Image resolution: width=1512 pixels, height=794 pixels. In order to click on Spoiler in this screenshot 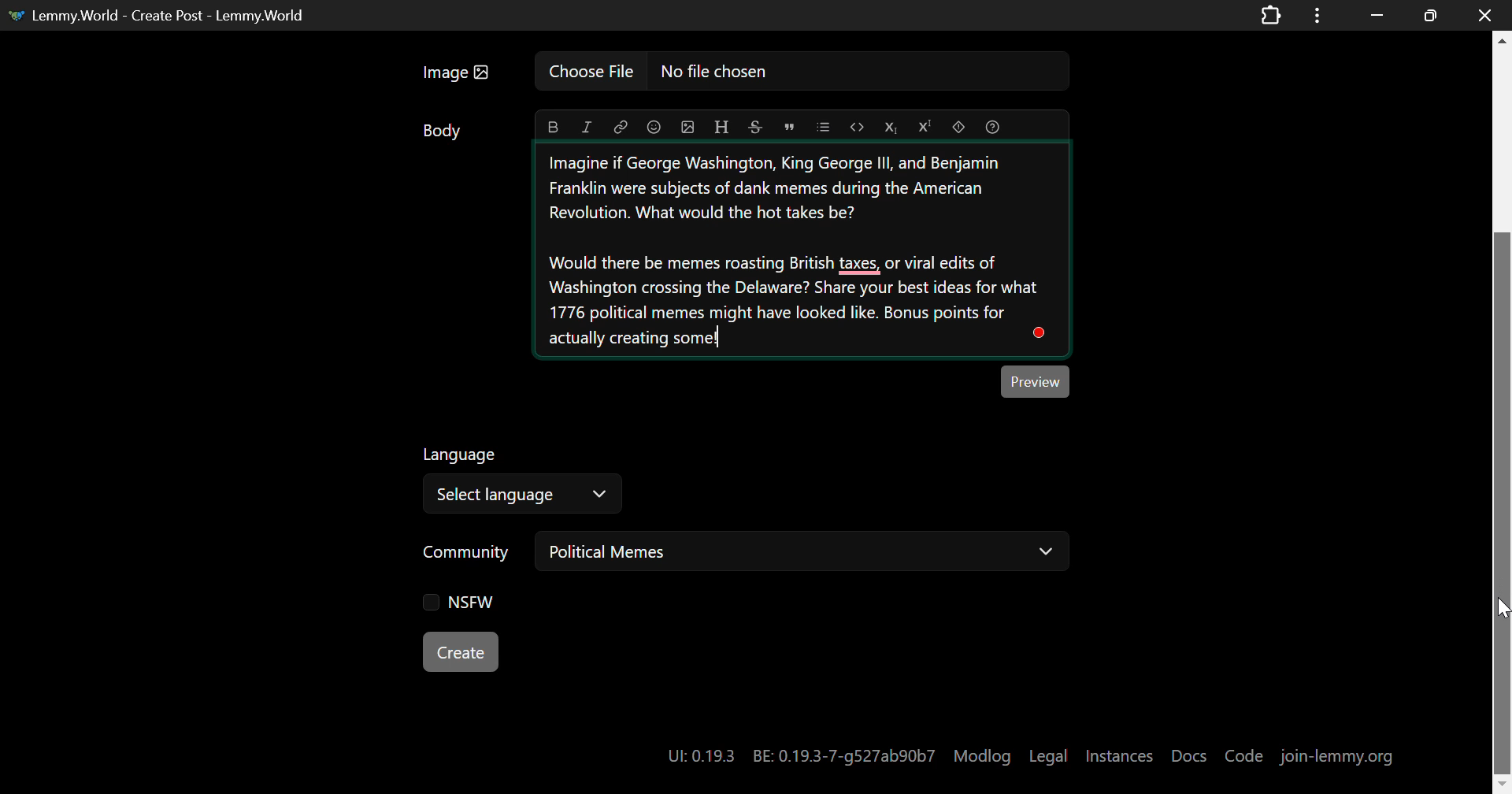, I will do `click(959, 128)`.